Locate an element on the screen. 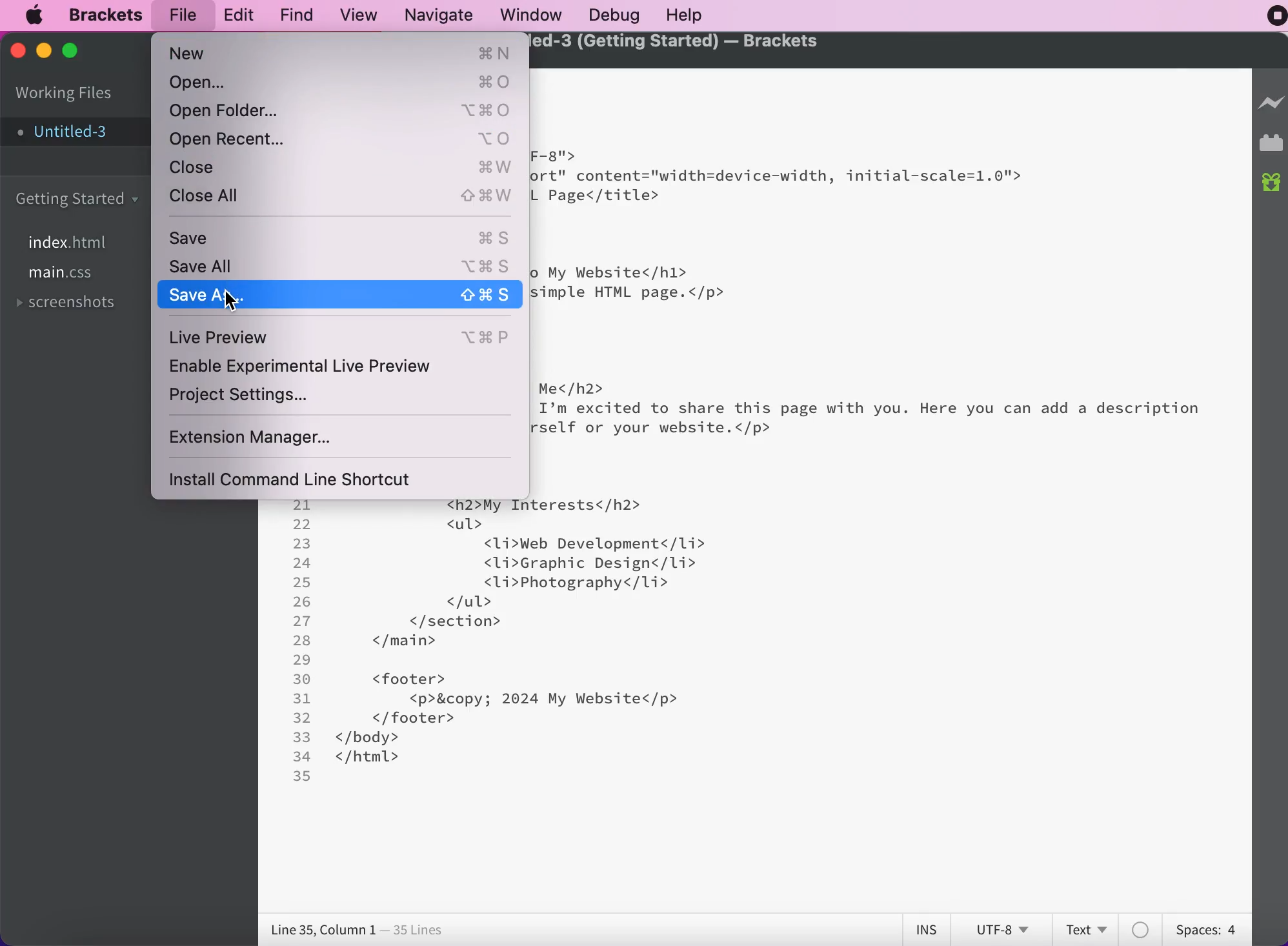 Image resolution: width=1288 pixels, height=946 pixels. cursor is located at coordinates (230, 300).